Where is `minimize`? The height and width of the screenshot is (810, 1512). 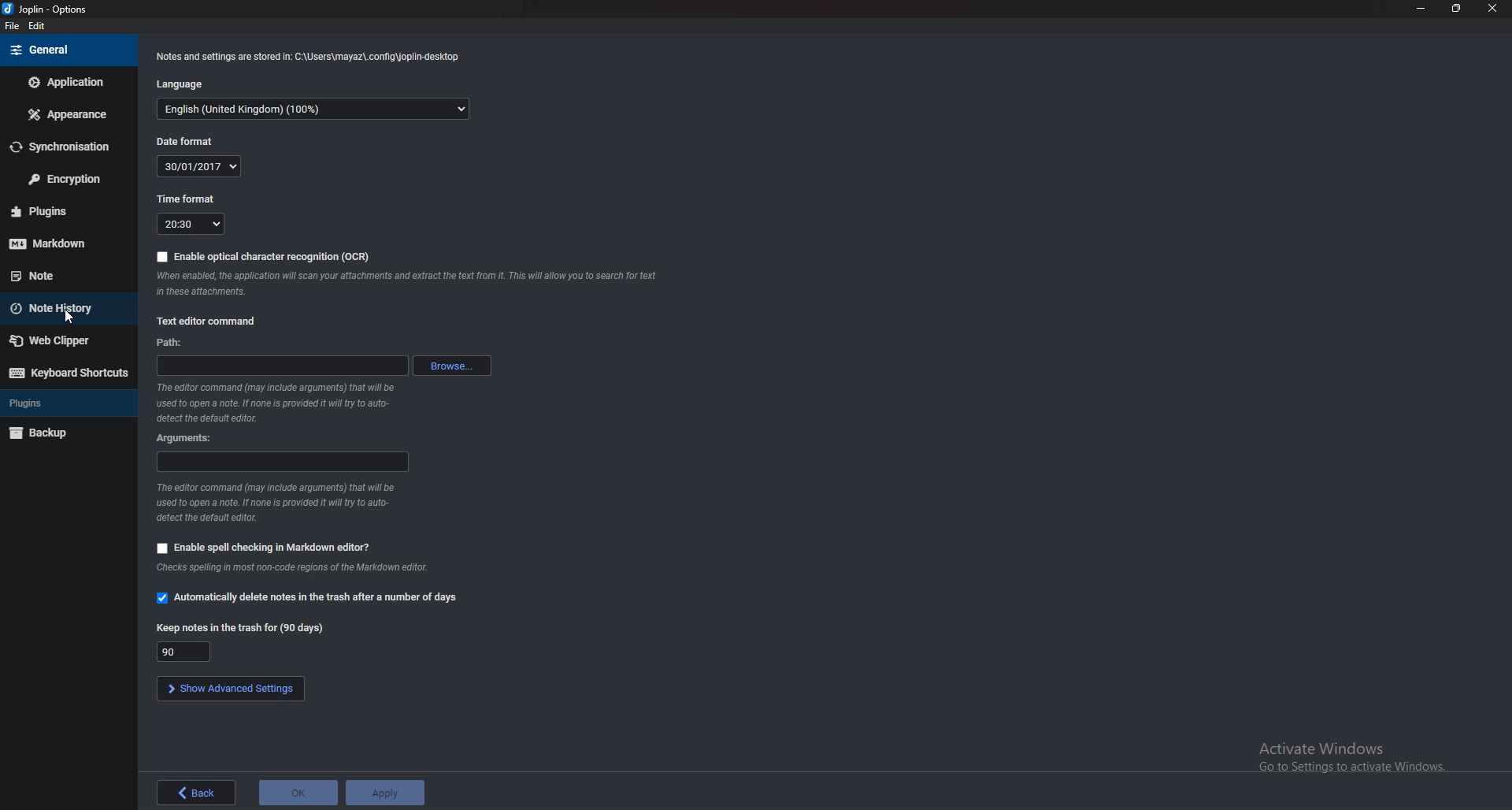
minimize is located at coordinates (1421, 9).